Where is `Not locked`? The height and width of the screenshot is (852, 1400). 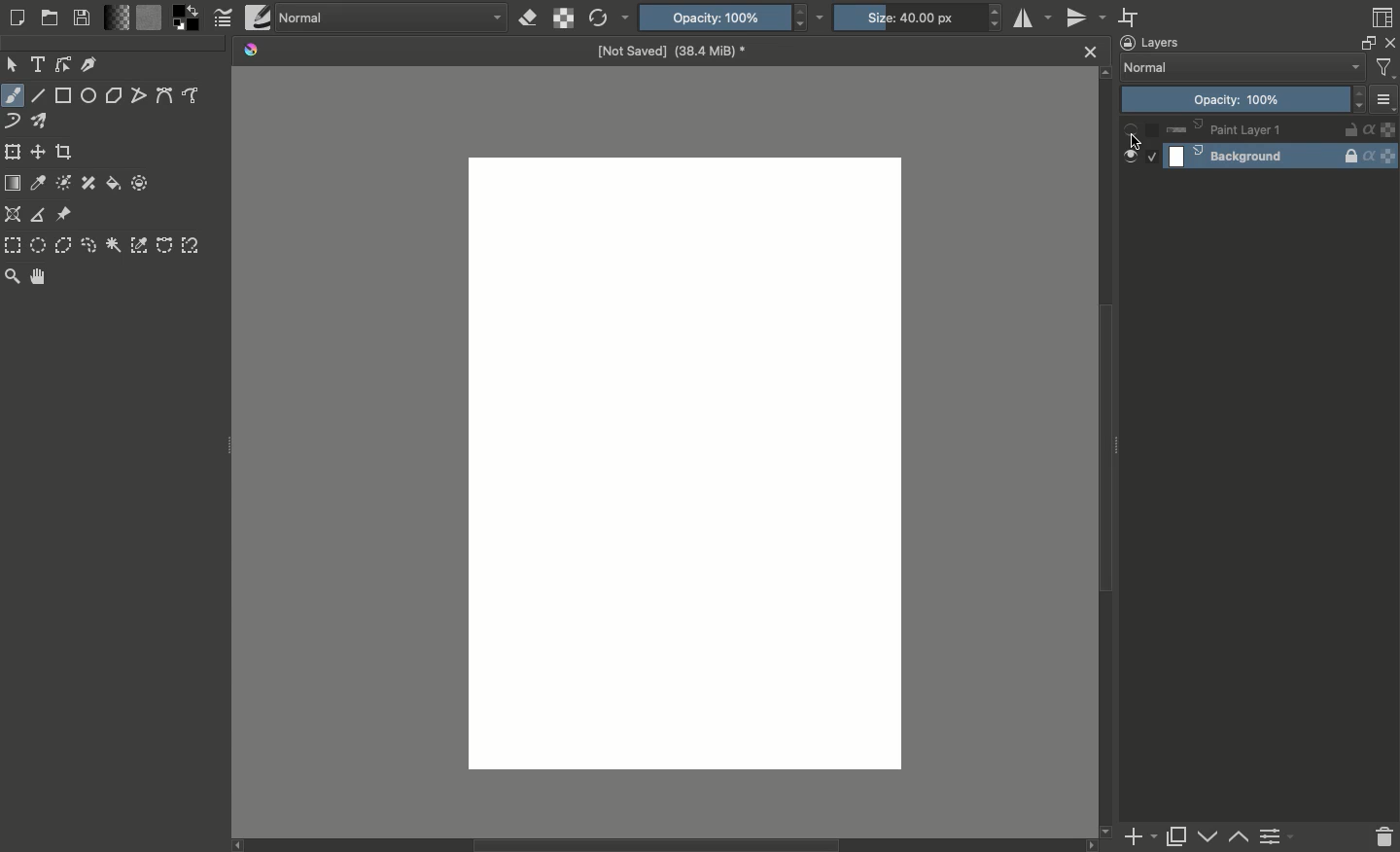
Not locked is located at coordinates (1351, 129).